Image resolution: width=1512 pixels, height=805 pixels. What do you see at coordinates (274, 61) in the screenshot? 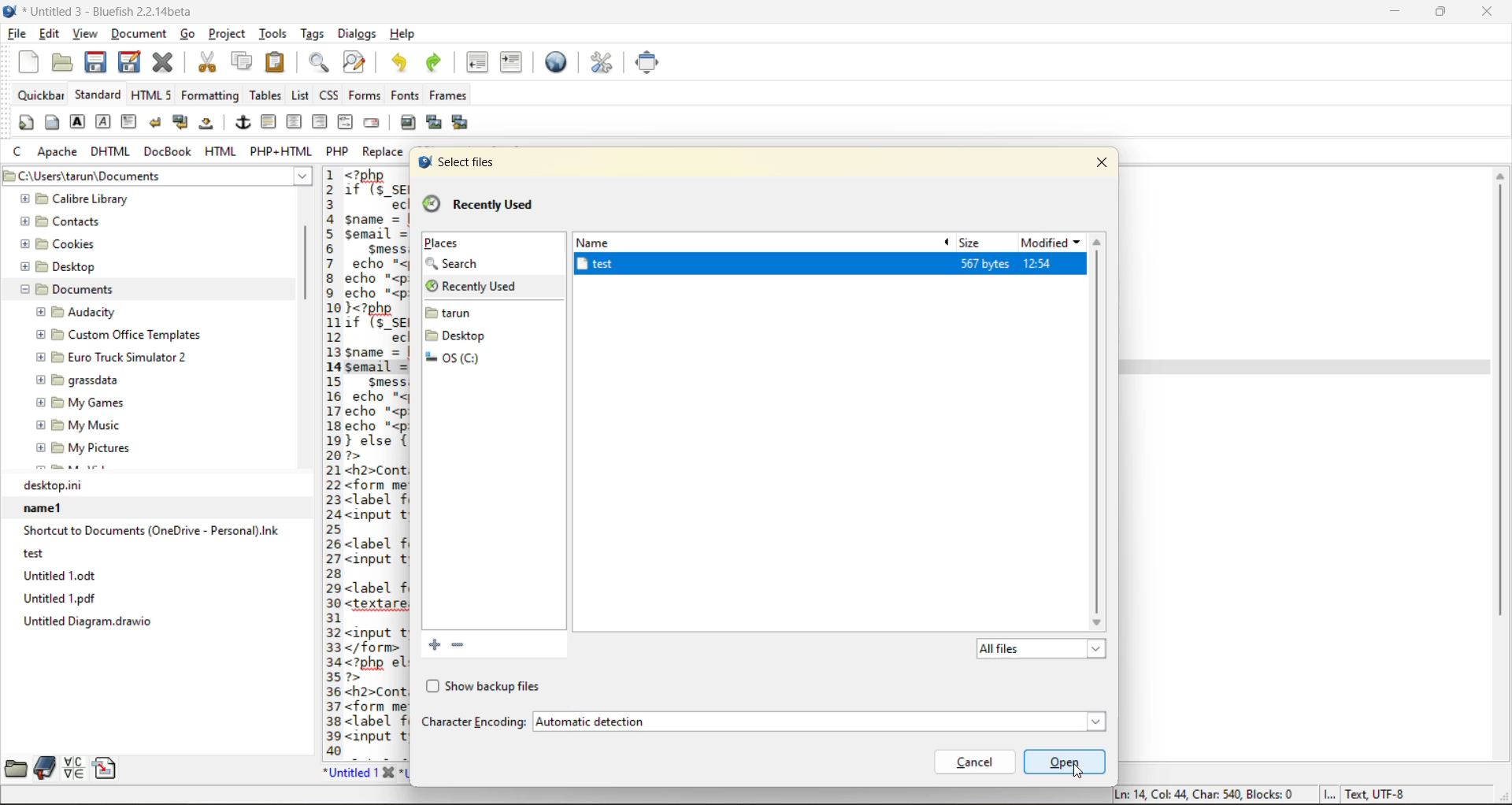
I see `paste` at bounding box center [274, 61].